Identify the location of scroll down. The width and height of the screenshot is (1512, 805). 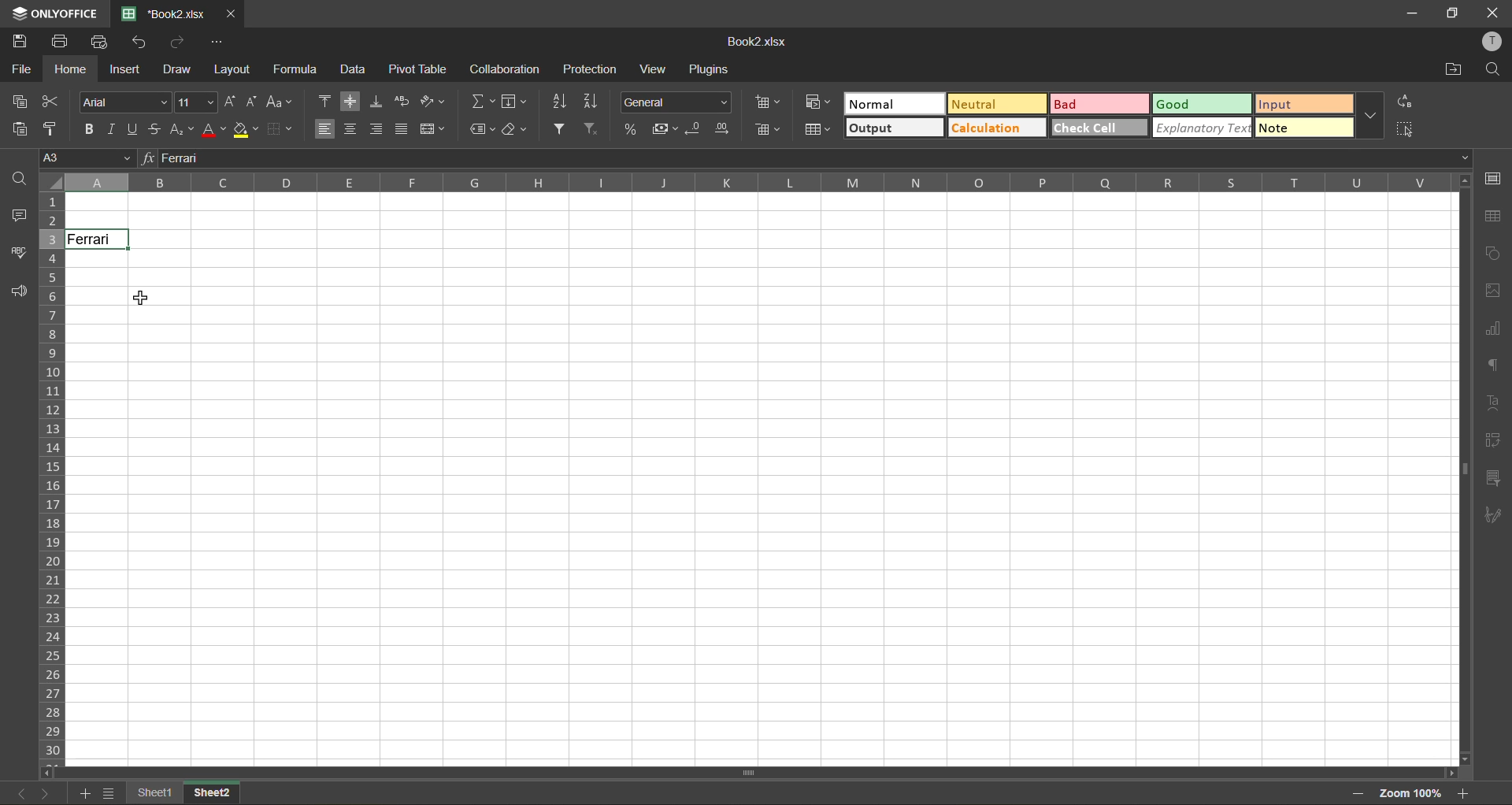
(1466, 759).